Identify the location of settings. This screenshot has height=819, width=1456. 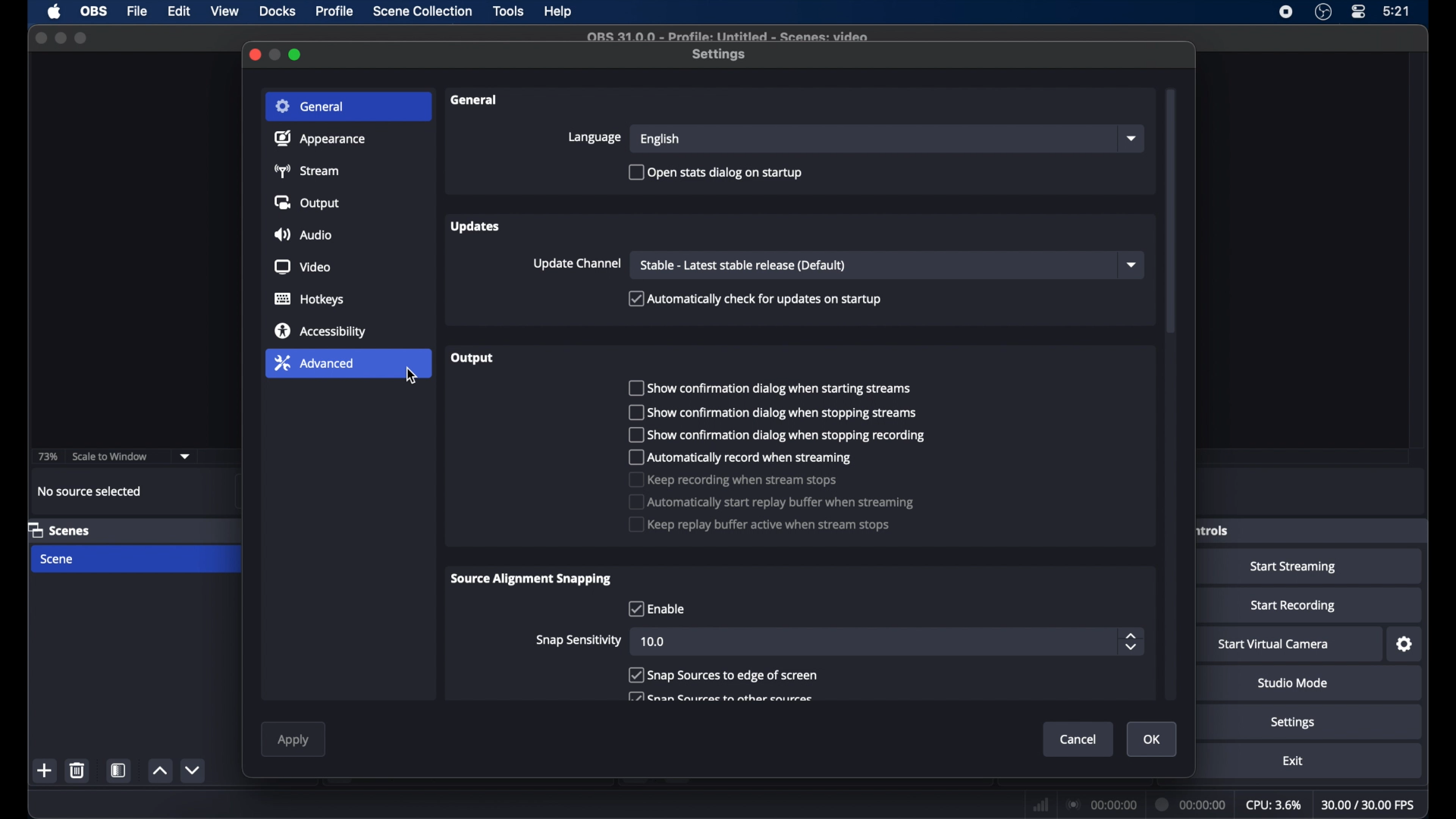
(1405, 645).